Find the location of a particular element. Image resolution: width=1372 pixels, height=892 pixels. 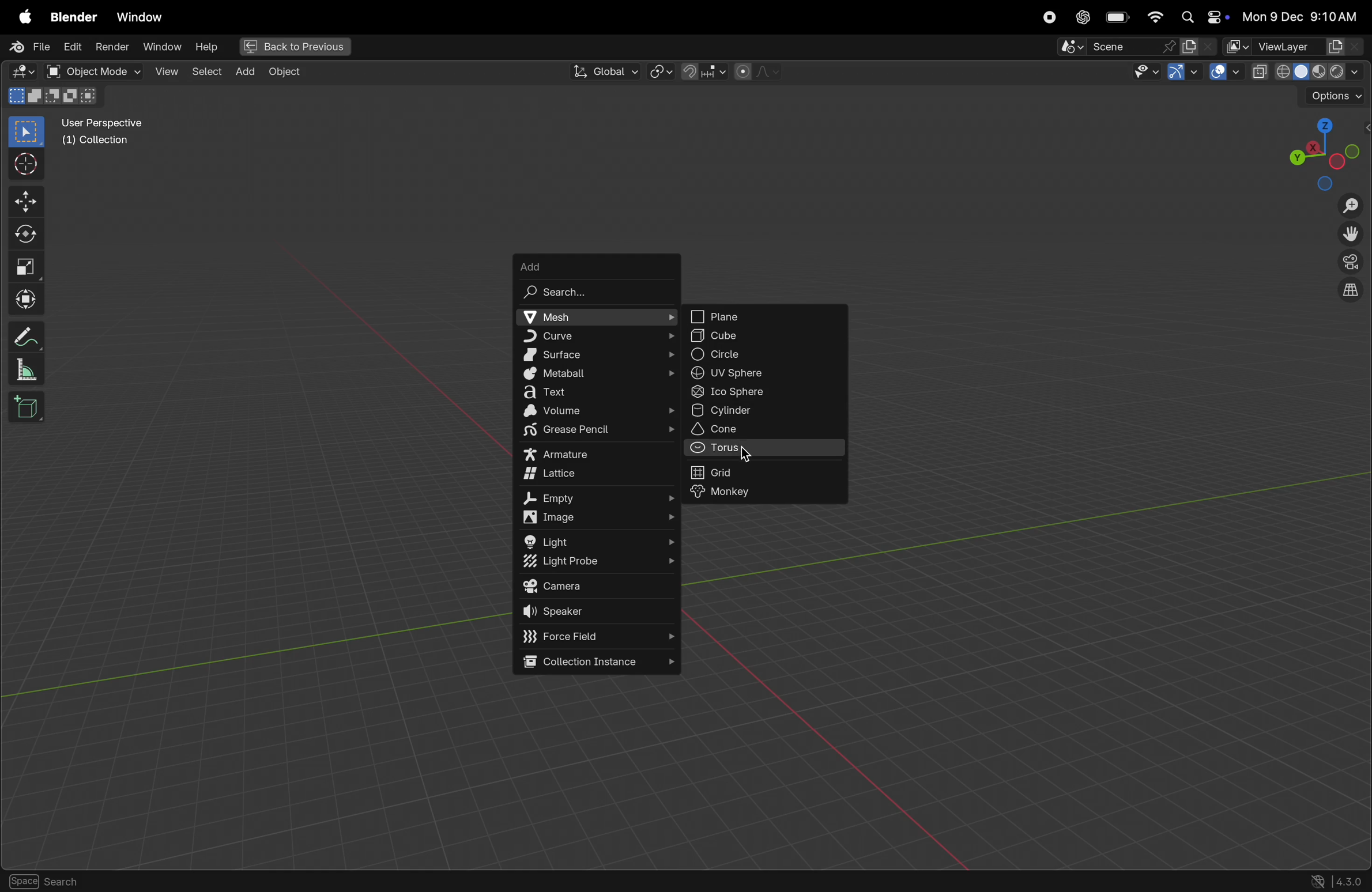

ico sphere is located at coordinates (766, 393).